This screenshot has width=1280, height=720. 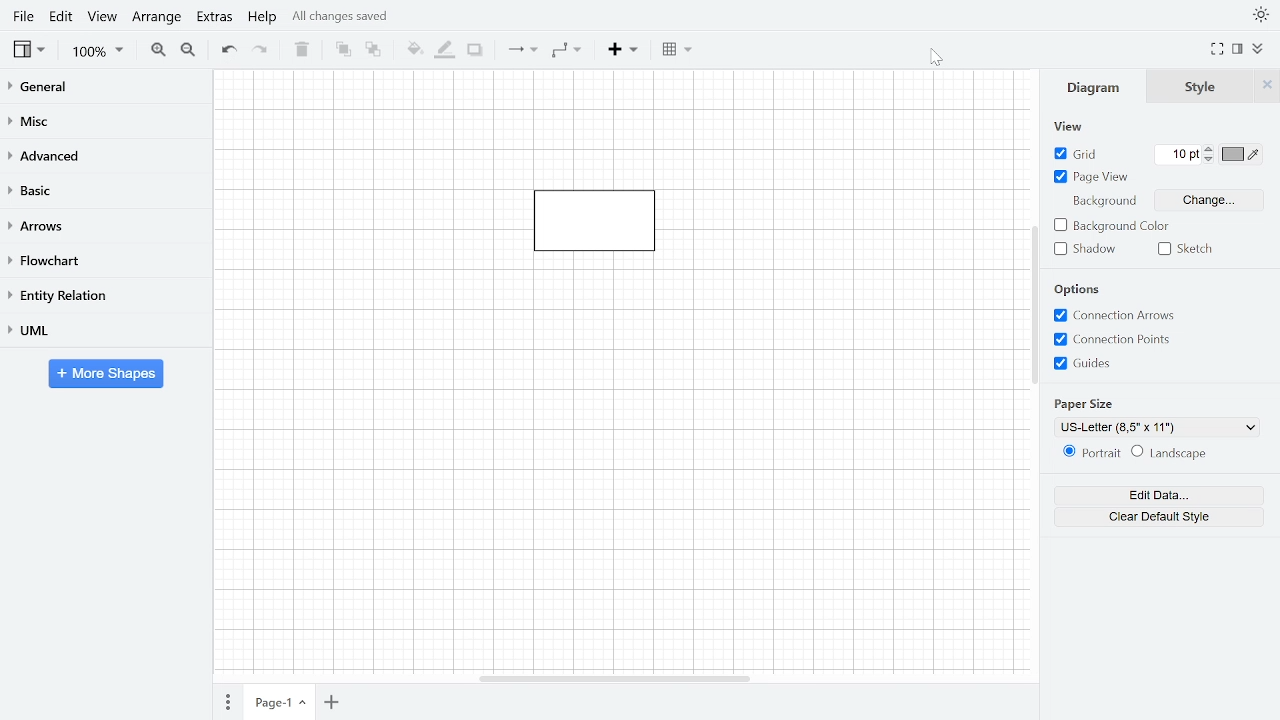 I want to click on Edit data, so click(x=1167, y=494).